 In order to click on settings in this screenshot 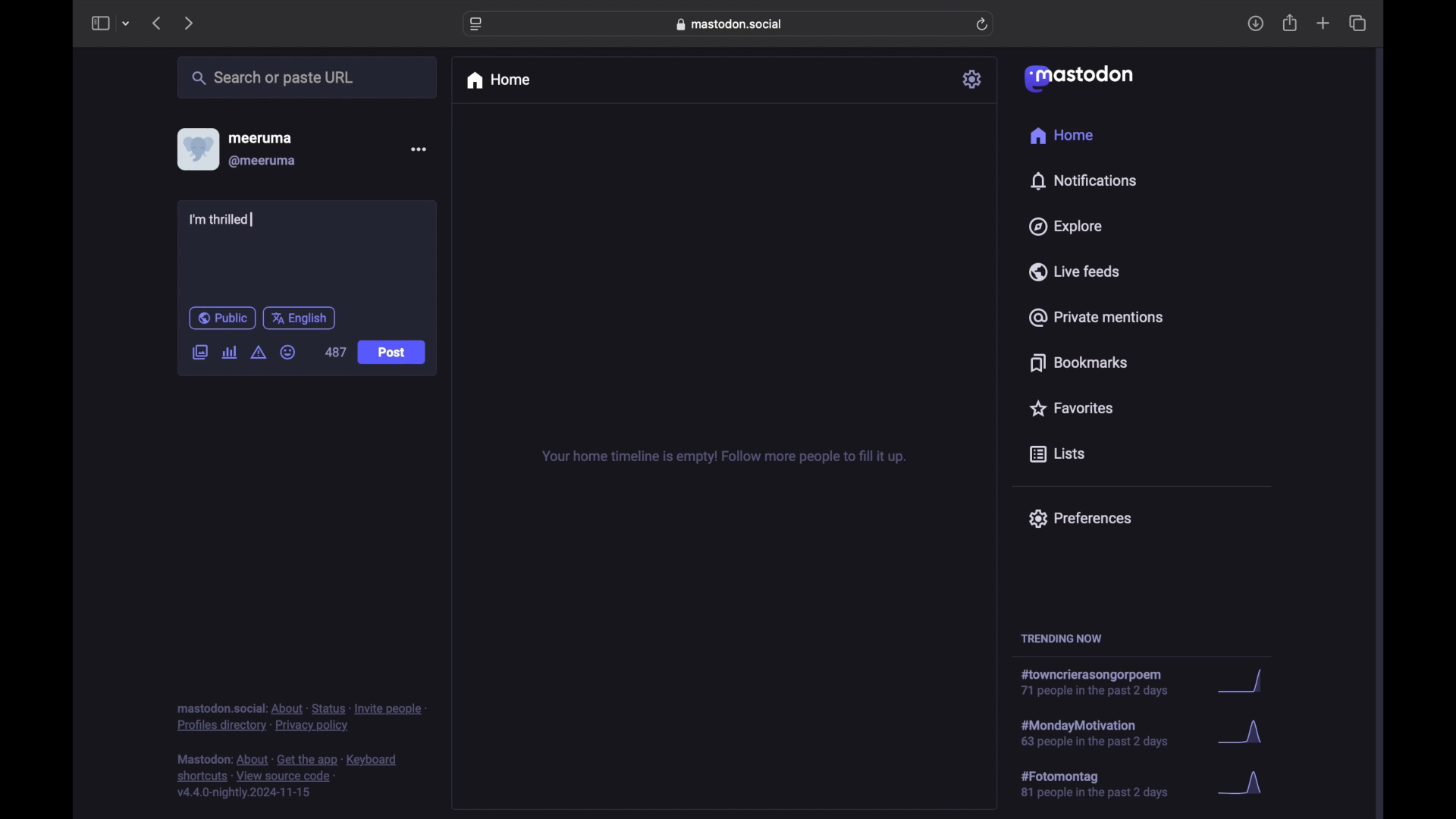, I will do `click(973, 79)`.